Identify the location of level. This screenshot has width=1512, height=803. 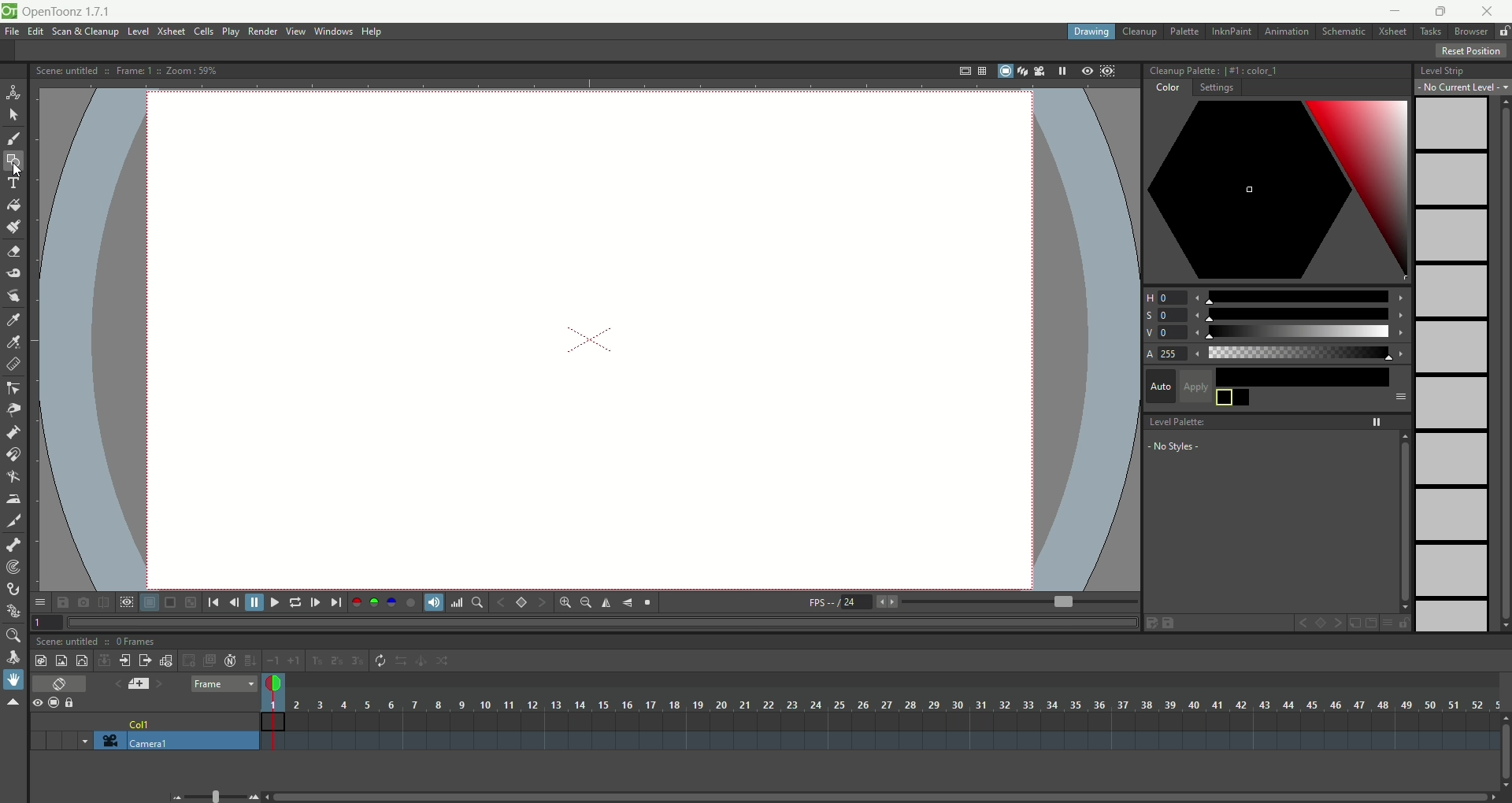
(139, 32).